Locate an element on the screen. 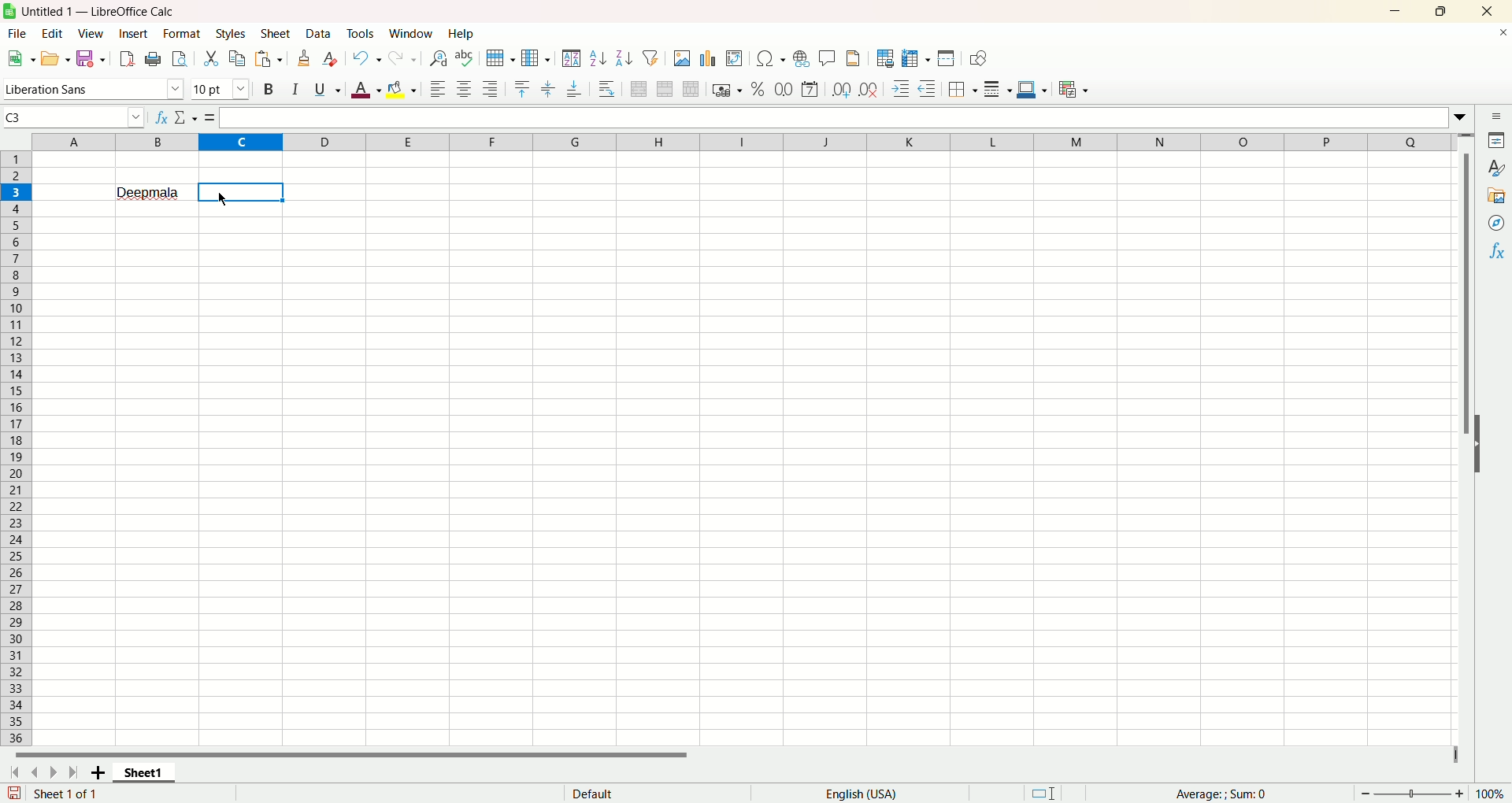 The width and height of the screenshot is (1512, 803). Insert chart is located at coordinates (710, 59).